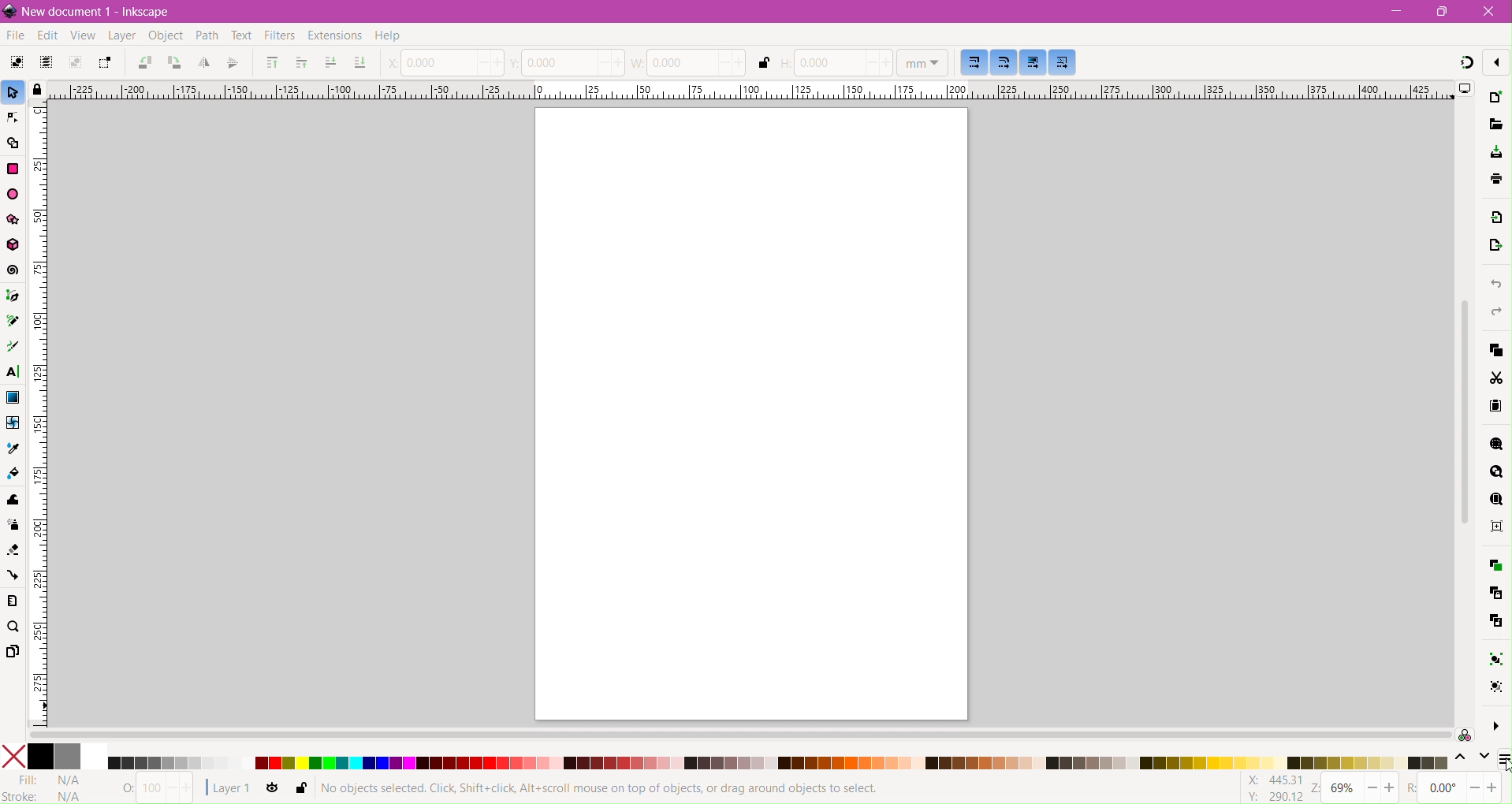 The height and width of the screenshot is (804, 1512). I want to click on Restore Down, so click(1447, 10).